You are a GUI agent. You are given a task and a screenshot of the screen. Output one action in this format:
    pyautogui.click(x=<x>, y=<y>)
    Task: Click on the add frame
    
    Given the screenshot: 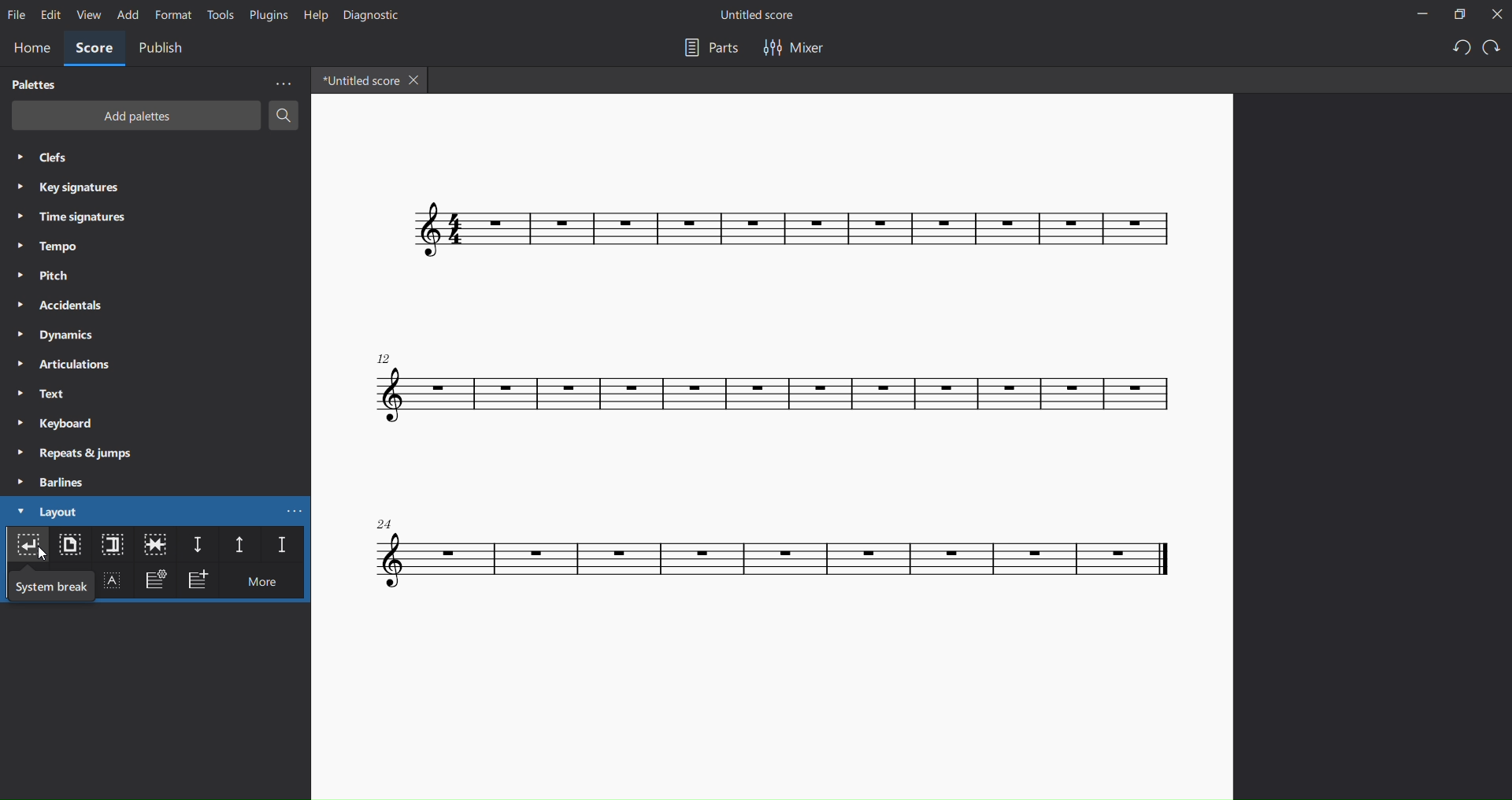 What is the action you would take?
    pyautogui.click(x=202, y=581)
    